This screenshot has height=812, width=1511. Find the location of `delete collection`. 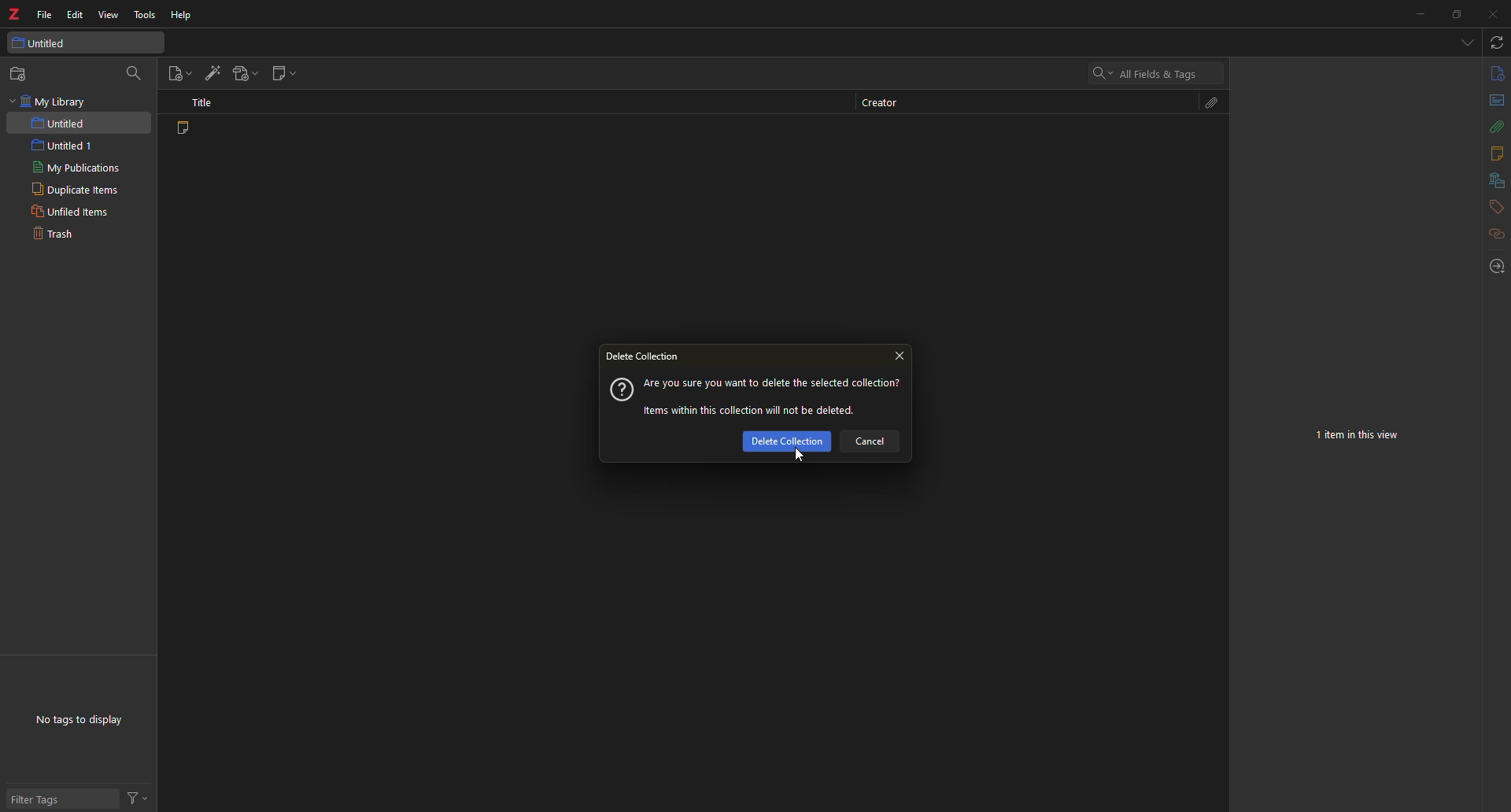

delete collection is located at coordinates (787, 441).